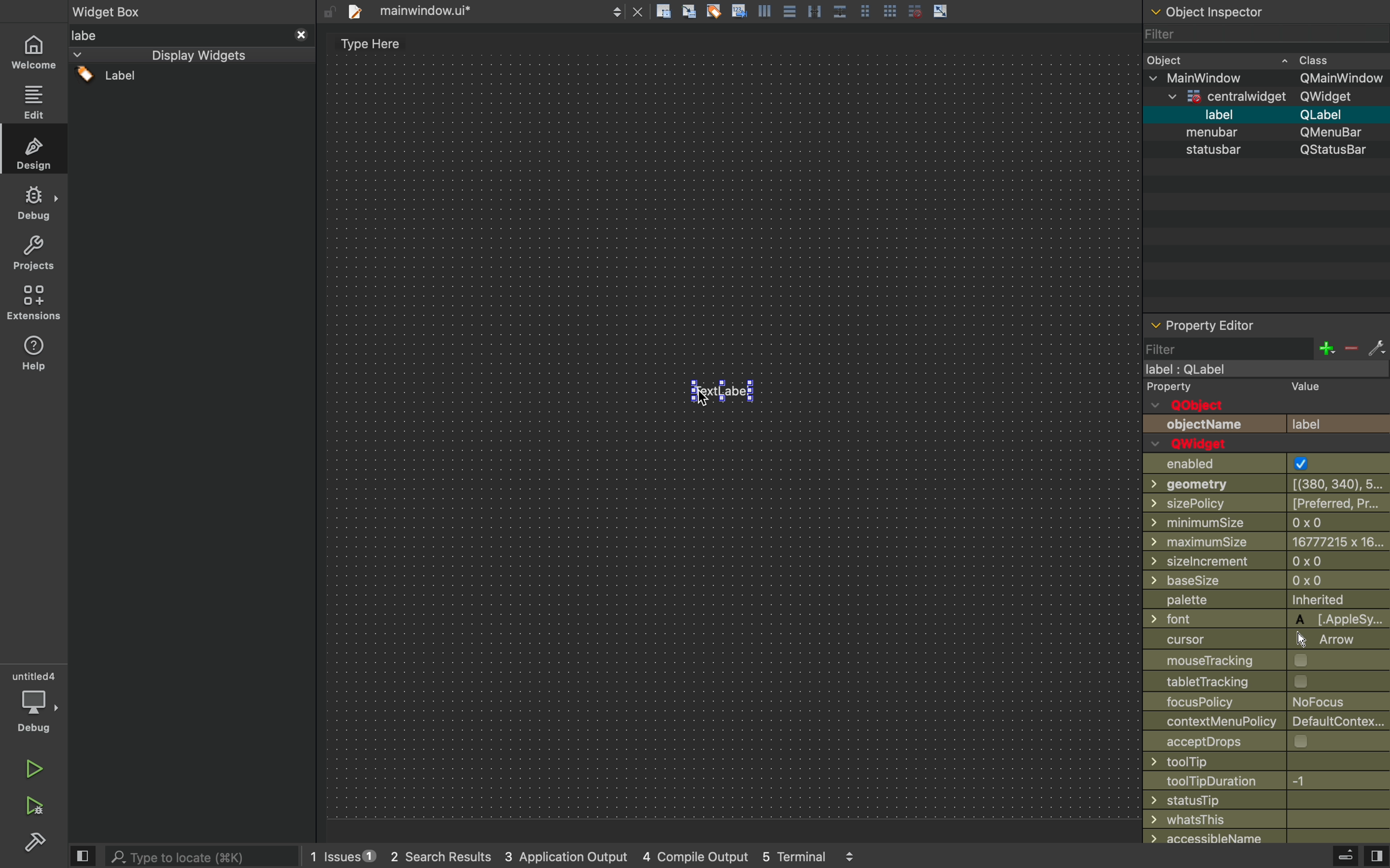  I want to click on , so click(1261, 370).